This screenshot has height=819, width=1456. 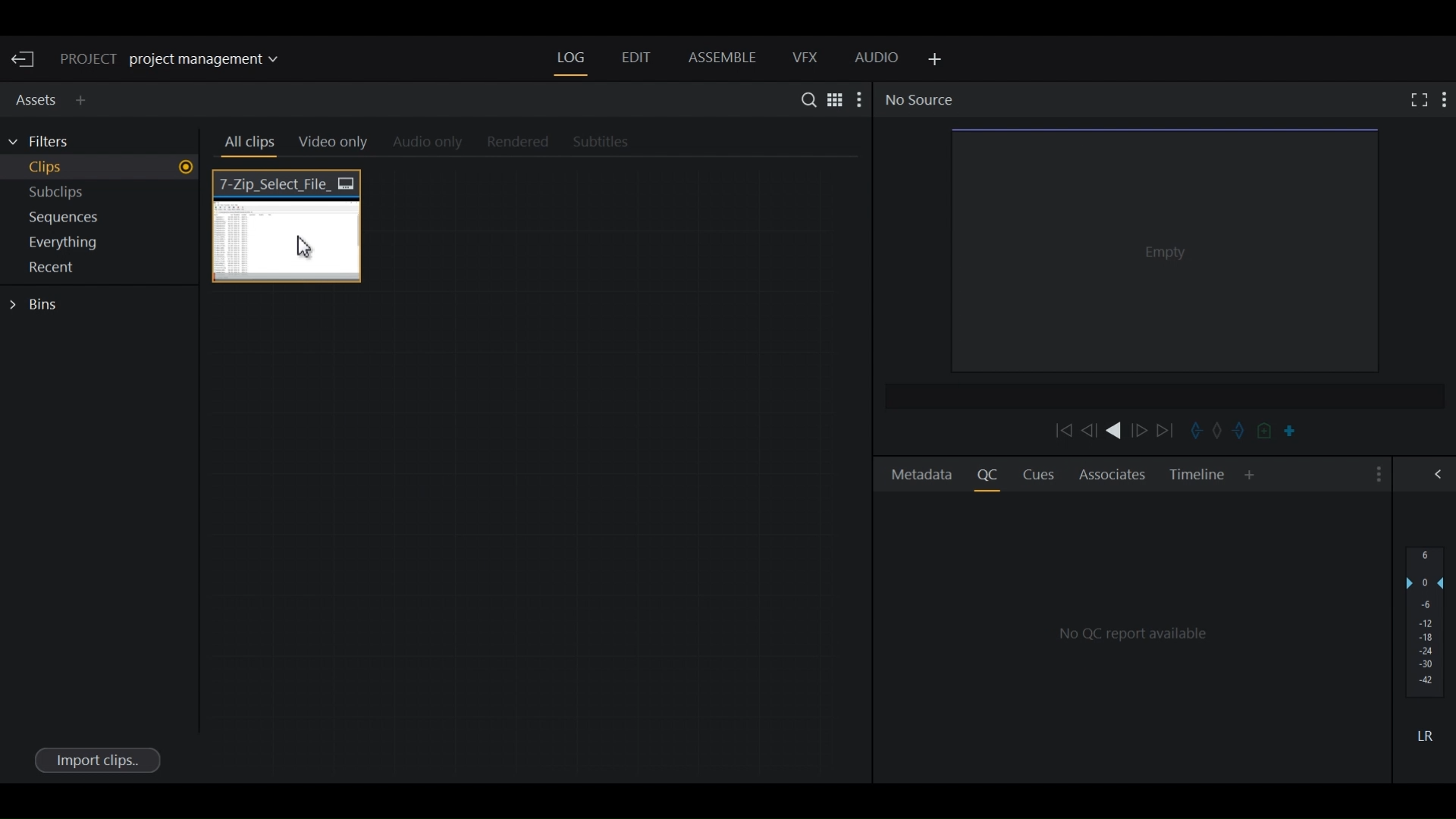 I want to click on Move backward, so click(x=1062, y=430).